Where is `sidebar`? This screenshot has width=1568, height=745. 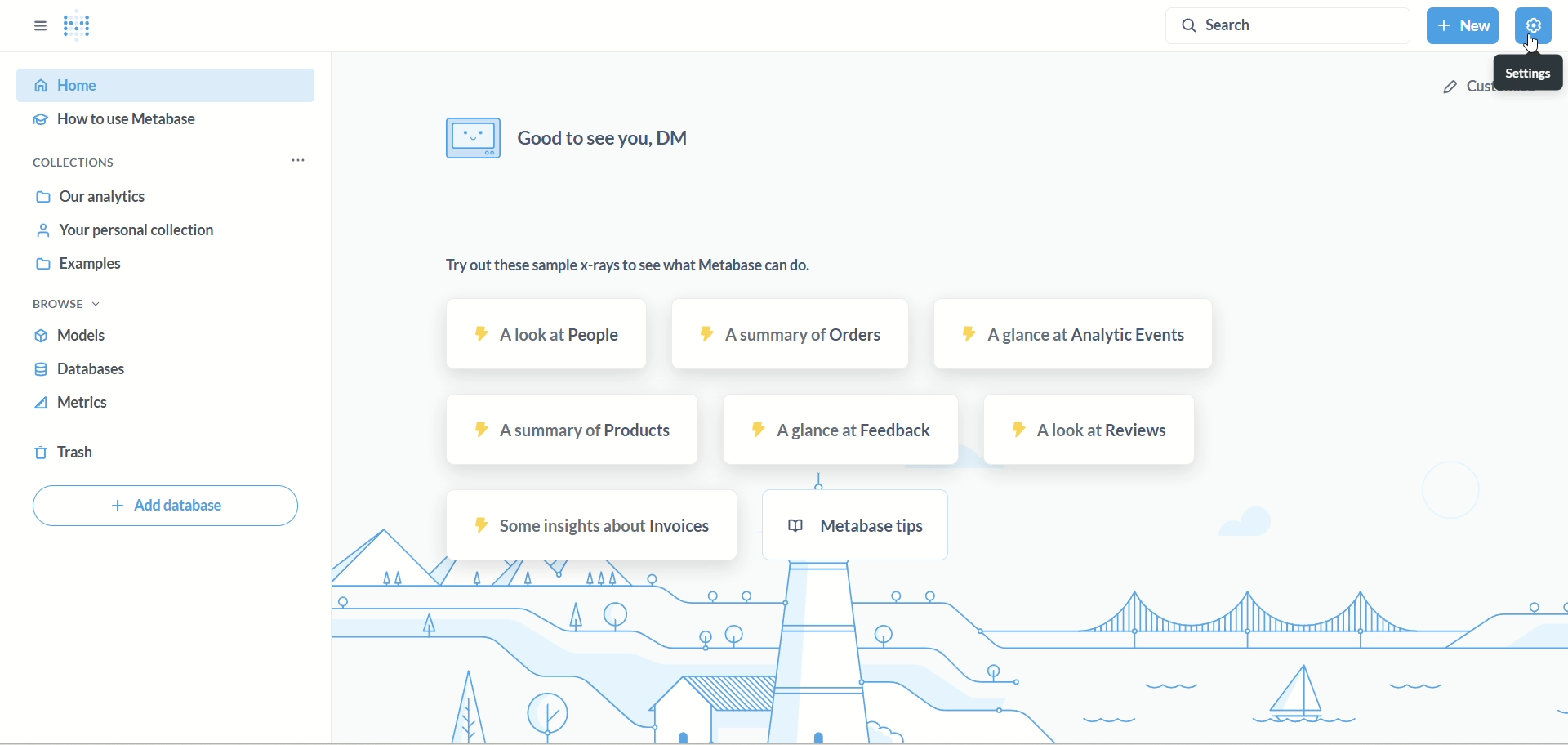 sidebar is located at coordinates (36, 31).